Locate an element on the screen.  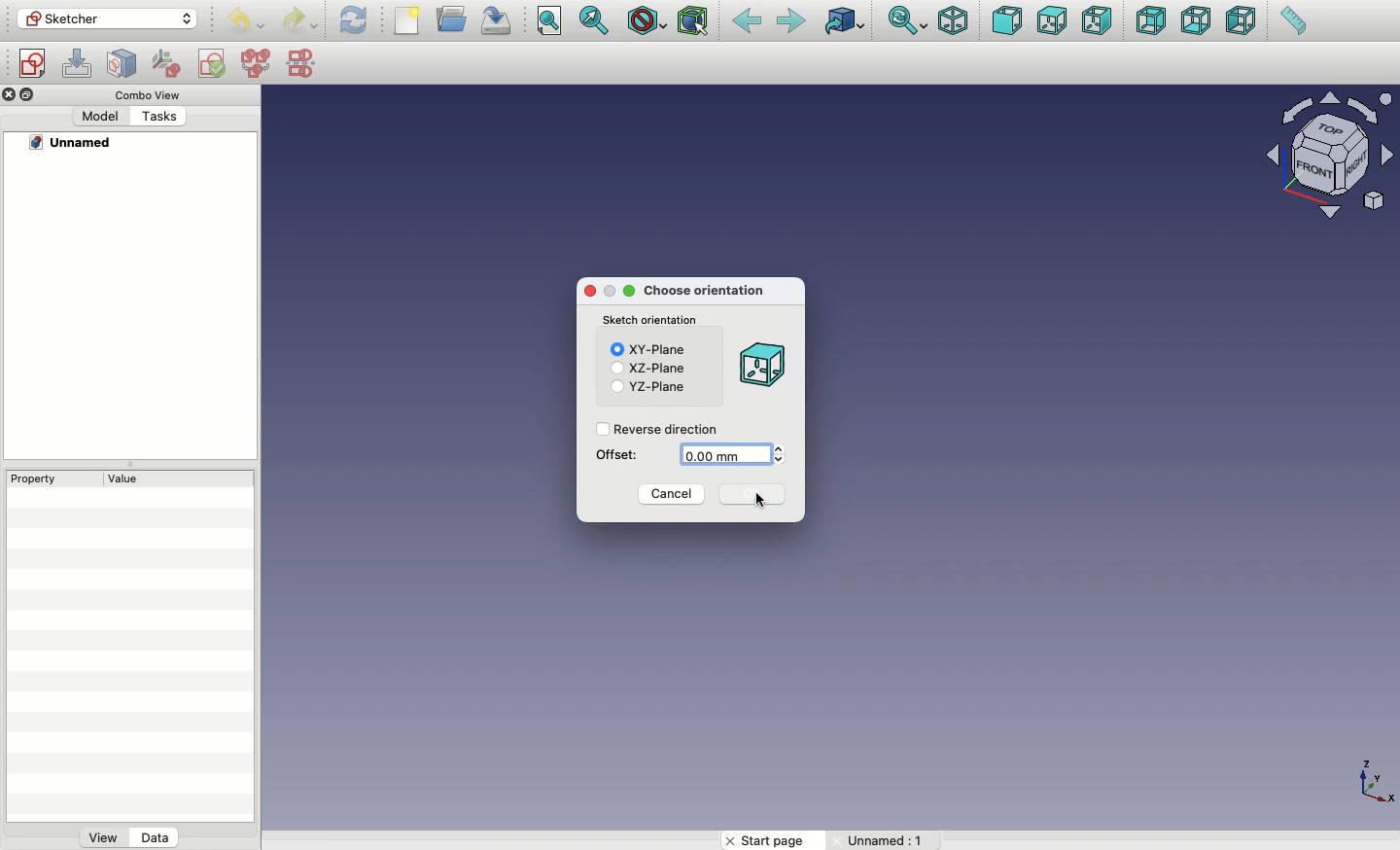
Create sketch  is located at coordinates (33, 64).